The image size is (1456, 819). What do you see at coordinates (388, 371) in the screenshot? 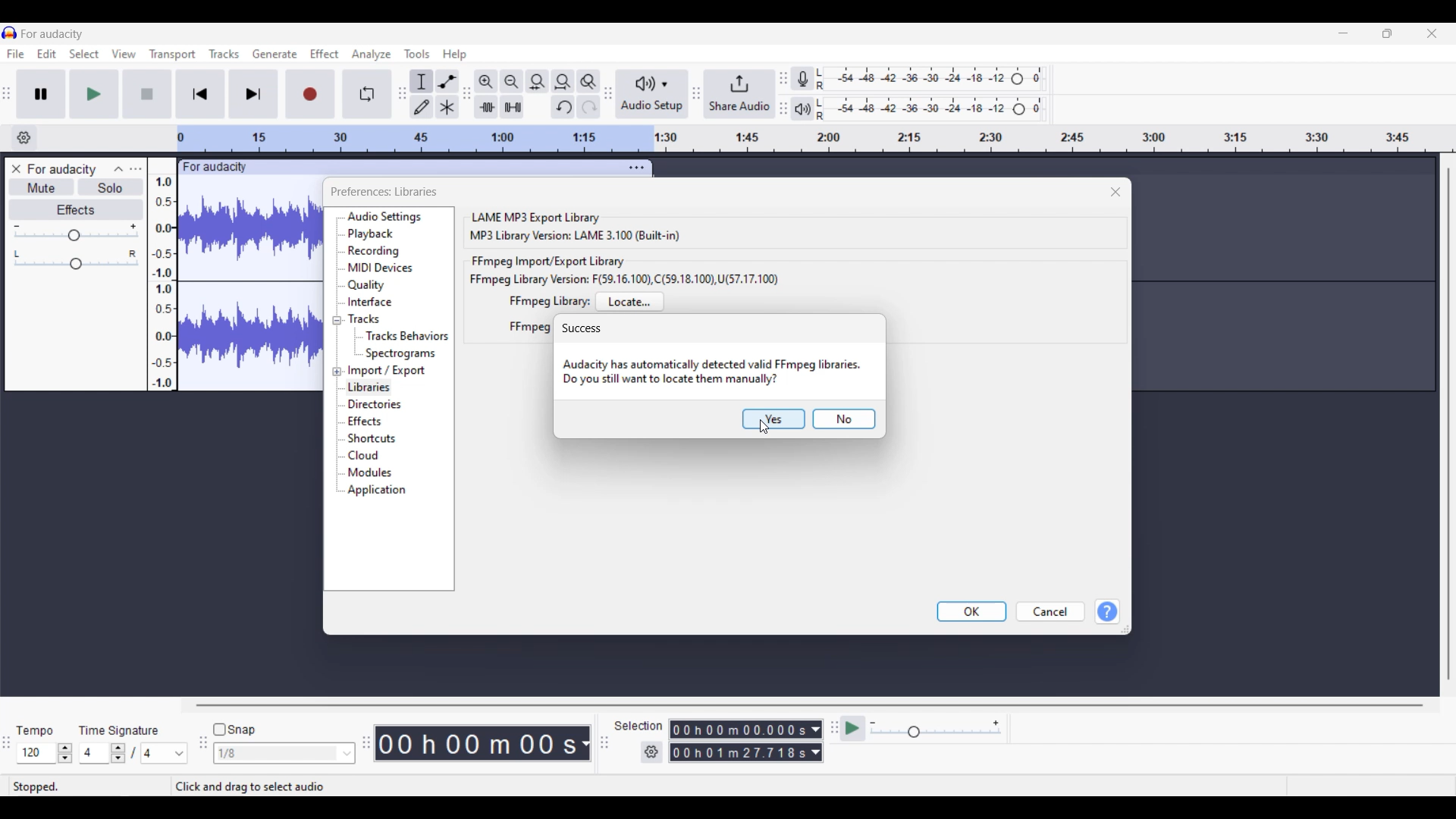
I see `Import/Export` at bounding box center [388, 371].